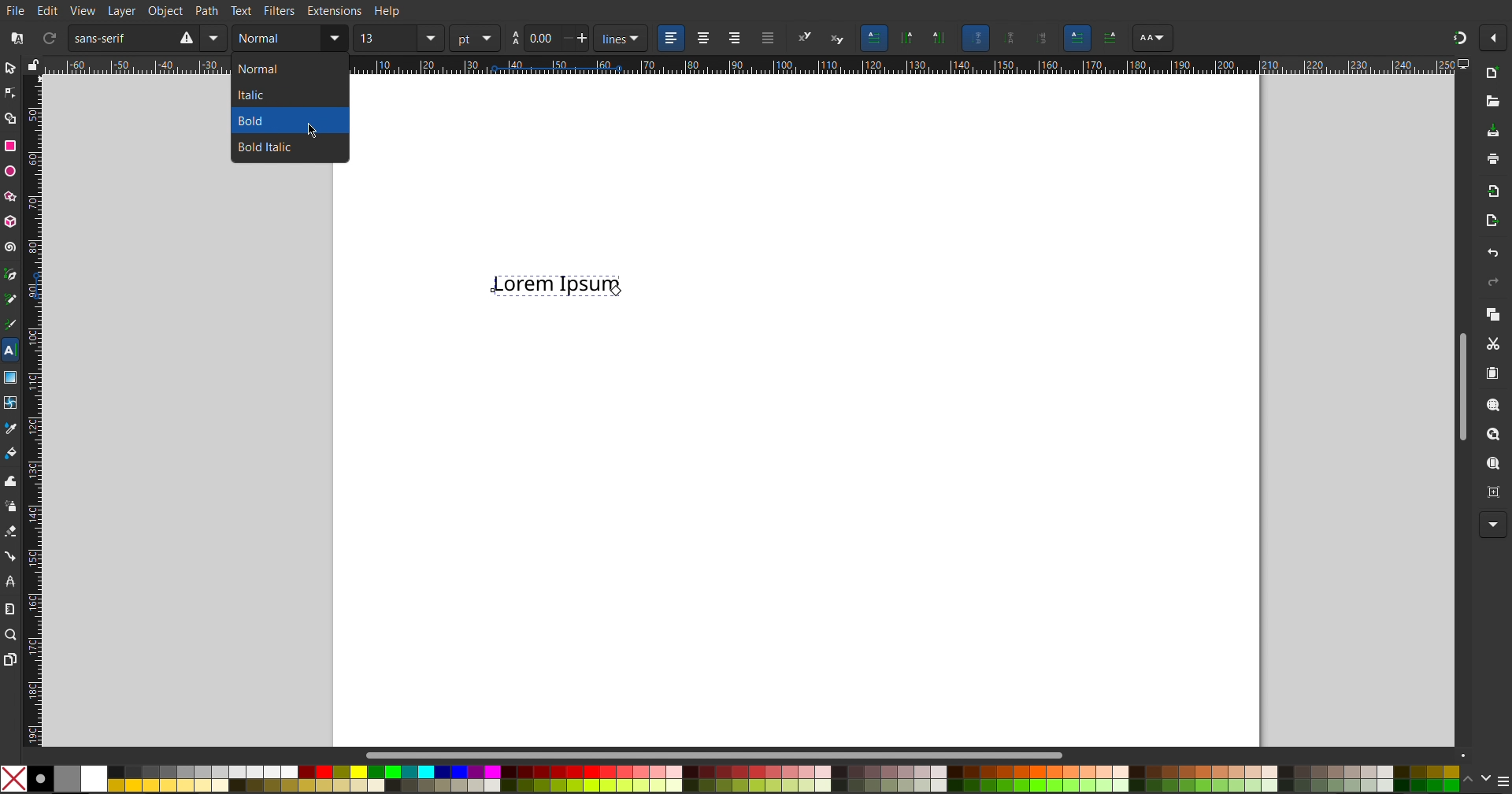 The image size is (1512, 794). Describe the element at coordinates (1492, 464) in the screenshot. I see `Zoom Page` at that location.